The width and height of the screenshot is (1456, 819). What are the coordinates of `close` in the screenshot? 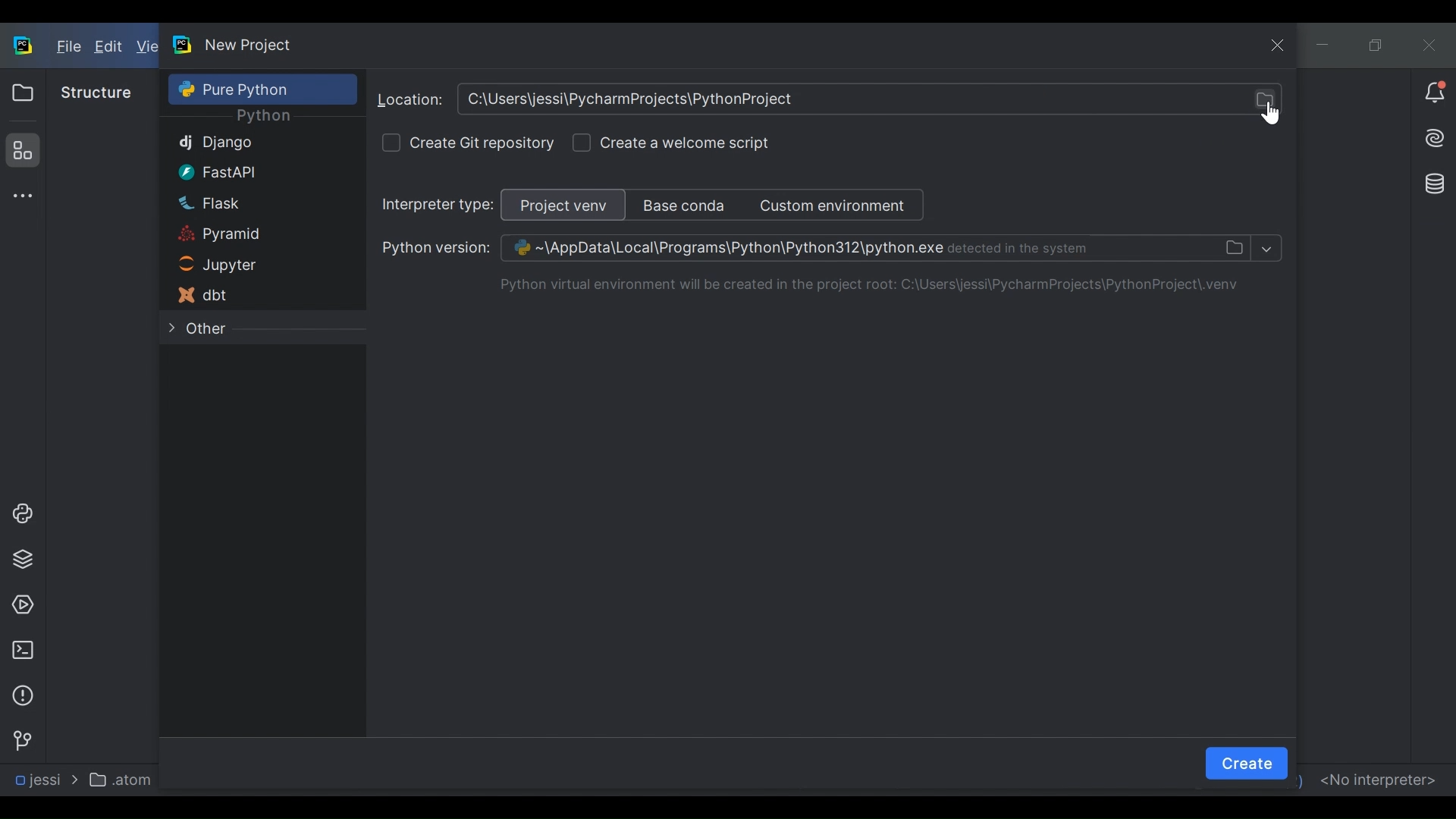 It's located at (1279, 46).